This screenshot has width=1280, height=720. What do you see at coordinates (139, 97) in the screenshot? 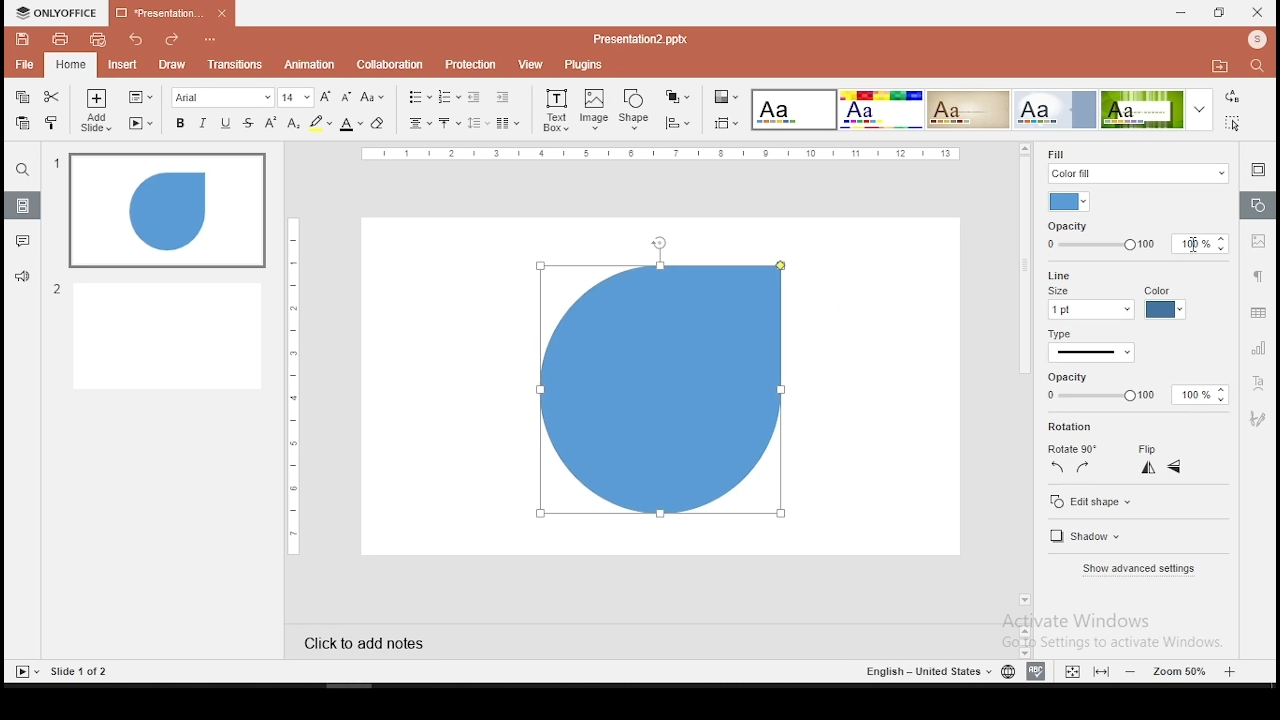
I see `change slide layout` at bounding box center [139, 97].